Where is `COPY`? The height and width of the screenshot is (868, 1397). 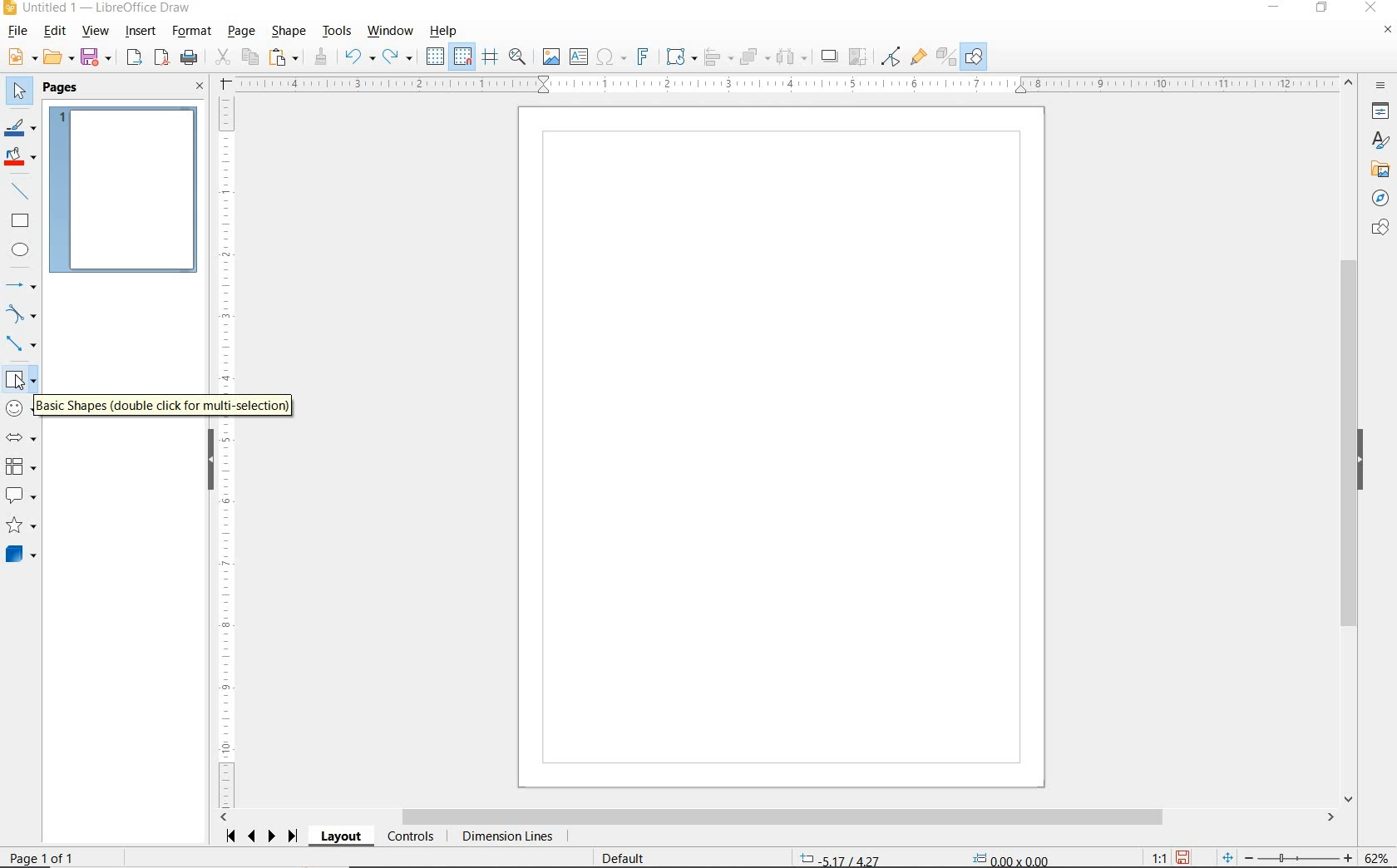 COPY is located at coordinates (249, 57).